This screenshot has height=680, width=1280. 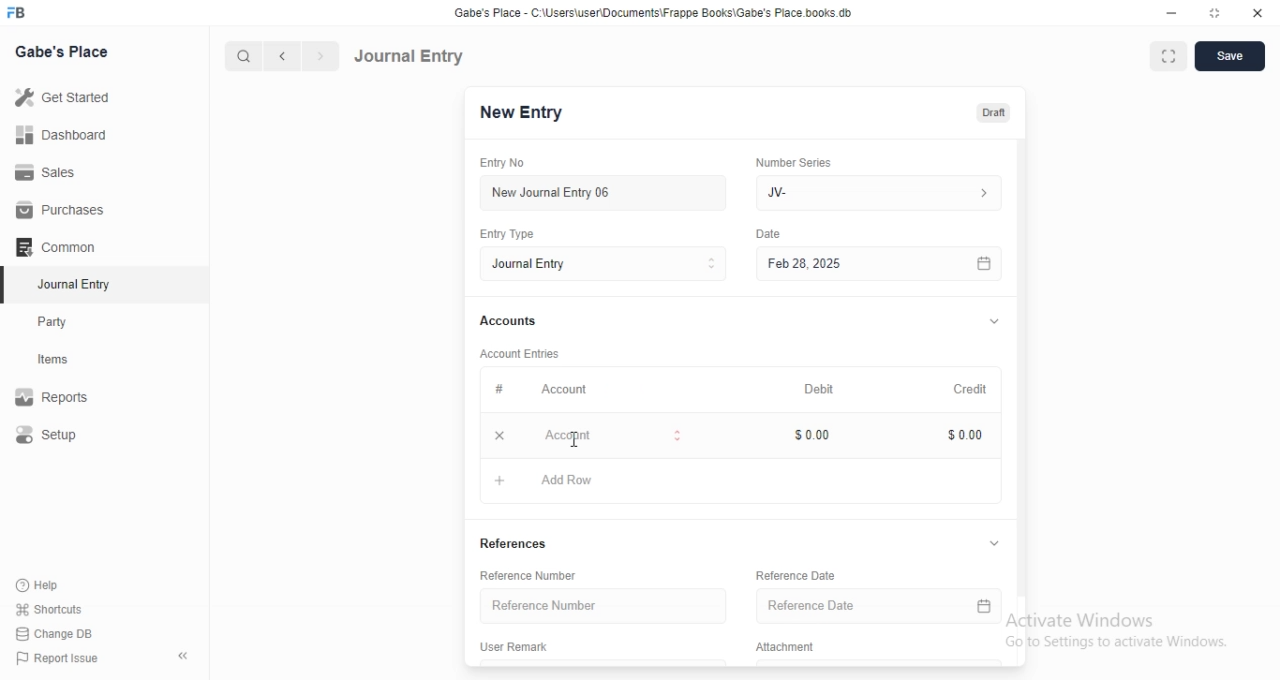 I want to click on close, so click(x=498, y=436).